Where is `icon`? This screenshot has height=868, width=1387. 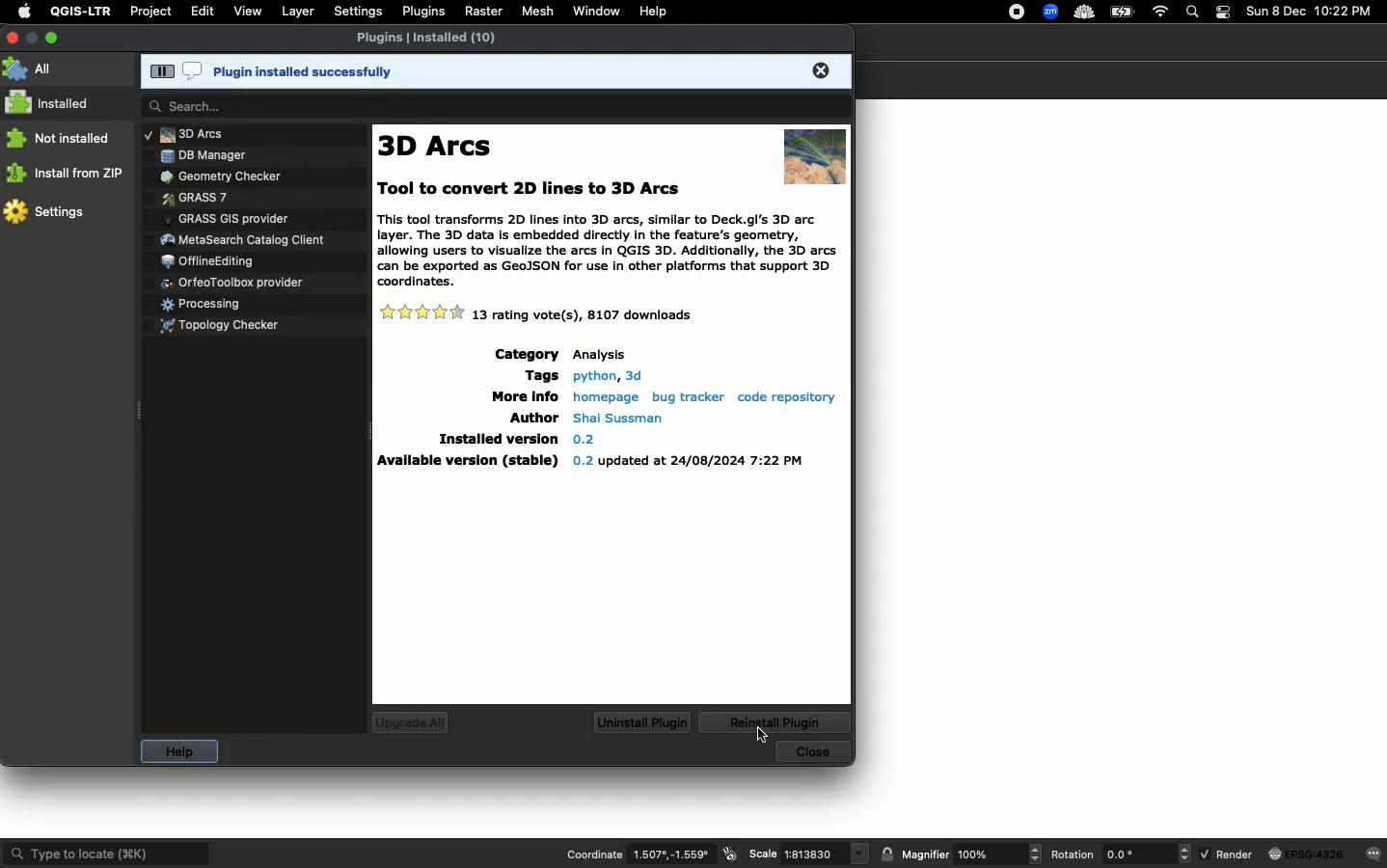
icon is located at coordinates (731, 854).